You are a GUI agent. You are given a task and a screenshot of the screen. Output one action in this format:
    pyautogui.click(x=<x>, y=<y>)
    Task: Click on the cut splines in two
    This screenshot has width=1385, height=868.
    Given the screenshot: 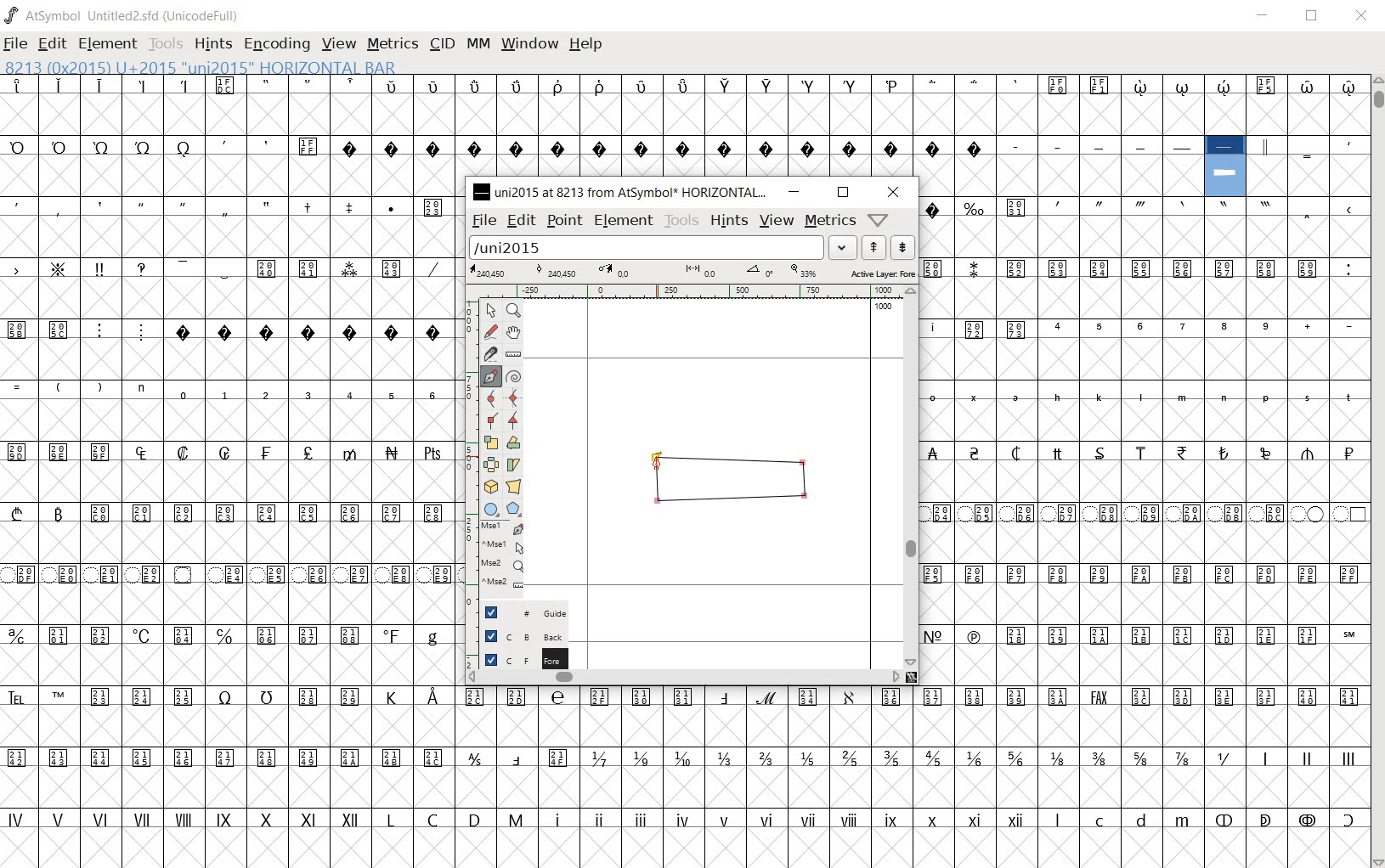 What is the action you would take?
    pyautogui.click(x=488, y=352)
    